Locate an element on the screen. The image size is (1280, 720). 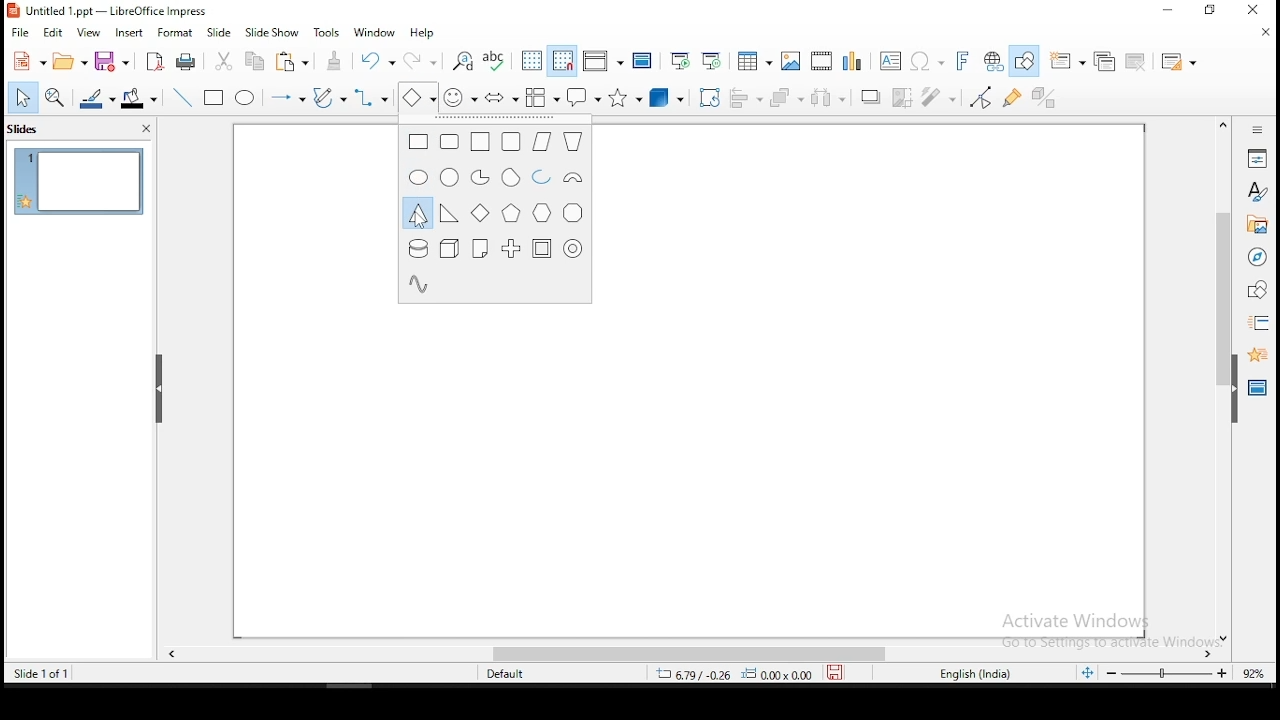
line color is located at coordinates (97, 97).